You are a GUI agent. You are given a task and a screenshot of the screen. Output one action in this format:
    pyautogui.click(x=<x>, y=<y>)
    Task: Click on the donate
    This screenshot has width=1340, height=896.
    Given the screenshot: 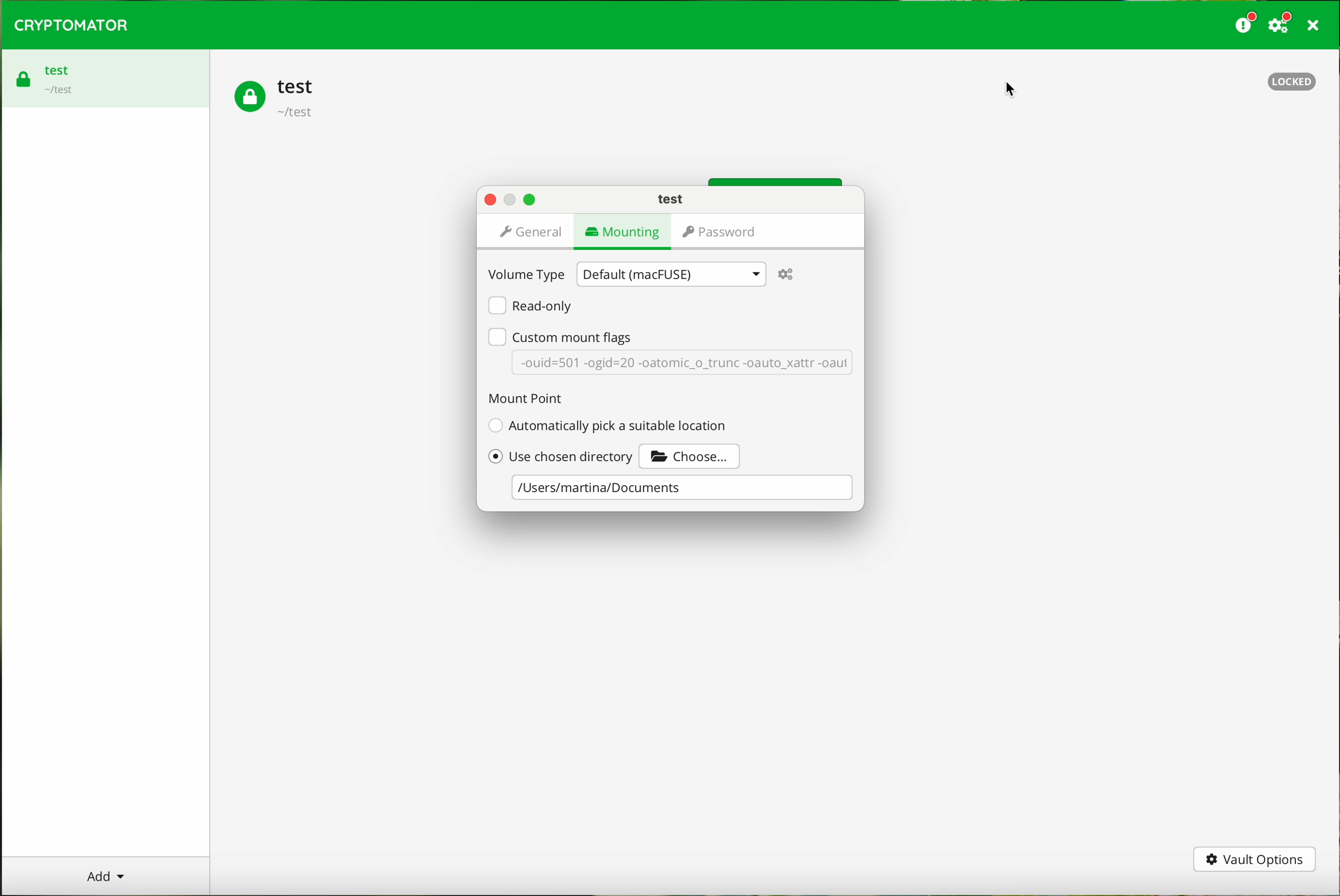 What is the action you would take?
    pyautogui.click(x=1243, y=25)
    